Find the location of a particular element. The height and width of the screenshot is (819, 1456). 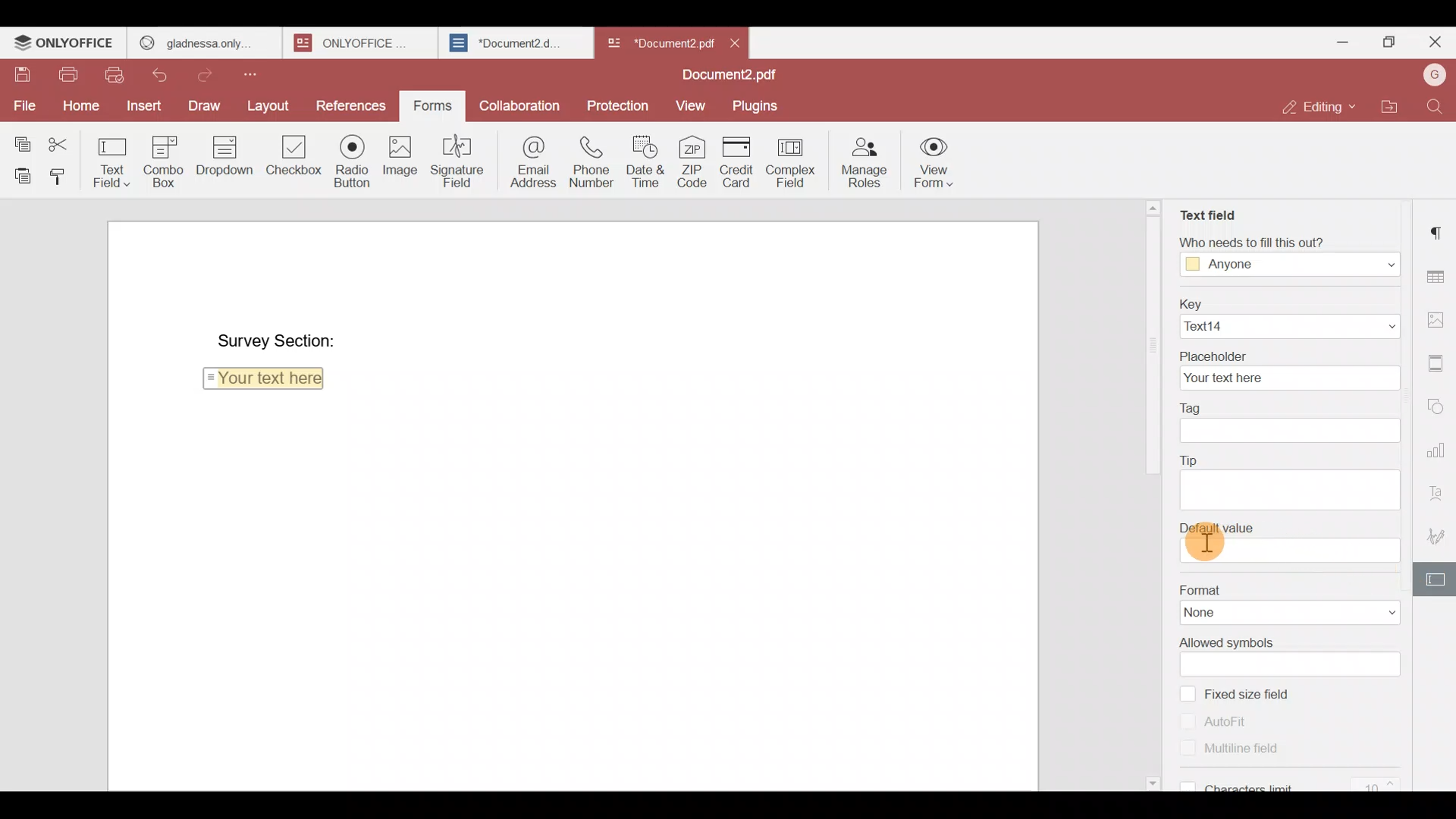

Cut is located at coordinates (64, 140).